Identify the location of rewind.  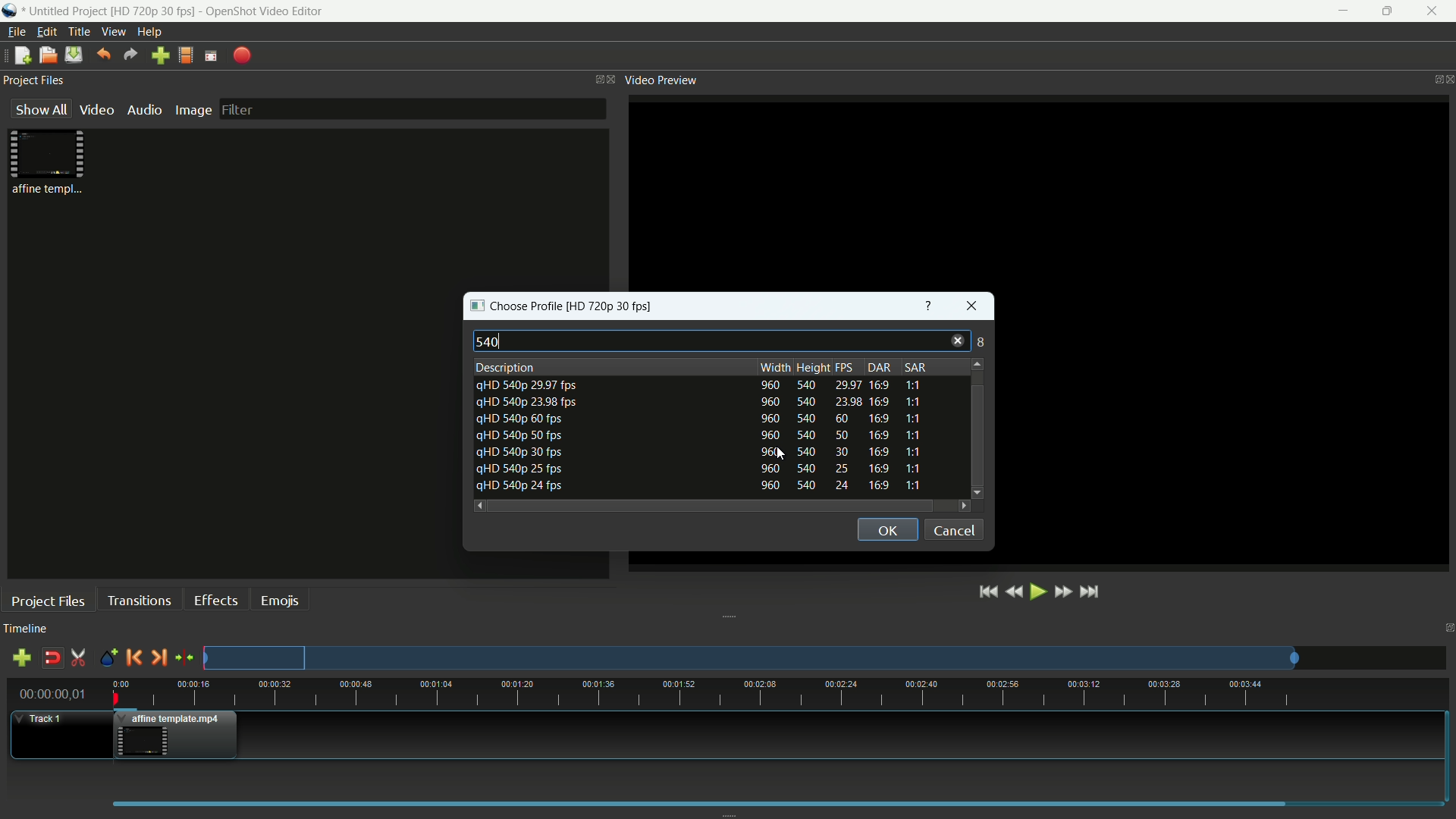
(1013, 591).